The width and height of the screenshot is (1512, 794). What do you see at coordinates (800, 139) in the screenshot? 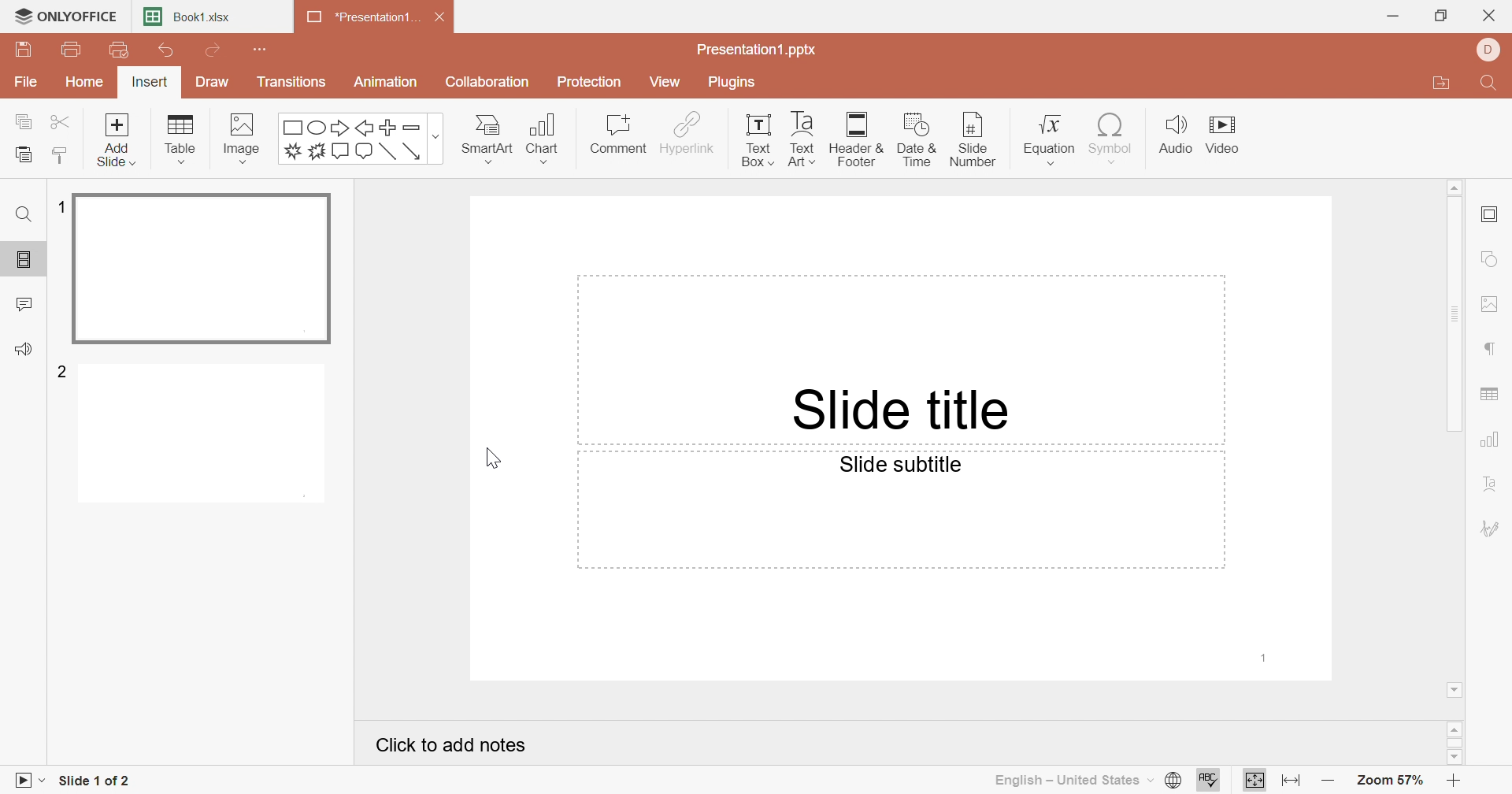
I see `Text Art` at bounding box center [800, 139].